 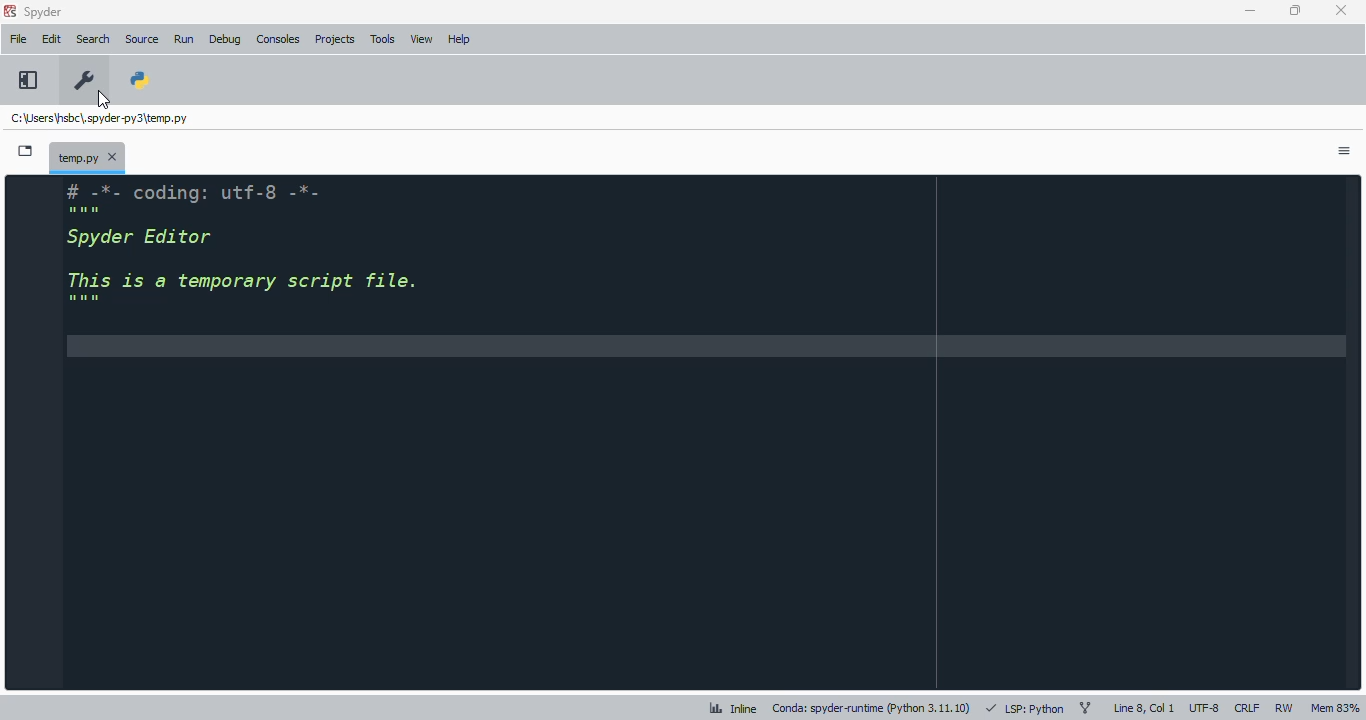 What do you see at coordinates (100, 119) in the screenshot?
I see `temporary file` at bounding box center [100, 119].